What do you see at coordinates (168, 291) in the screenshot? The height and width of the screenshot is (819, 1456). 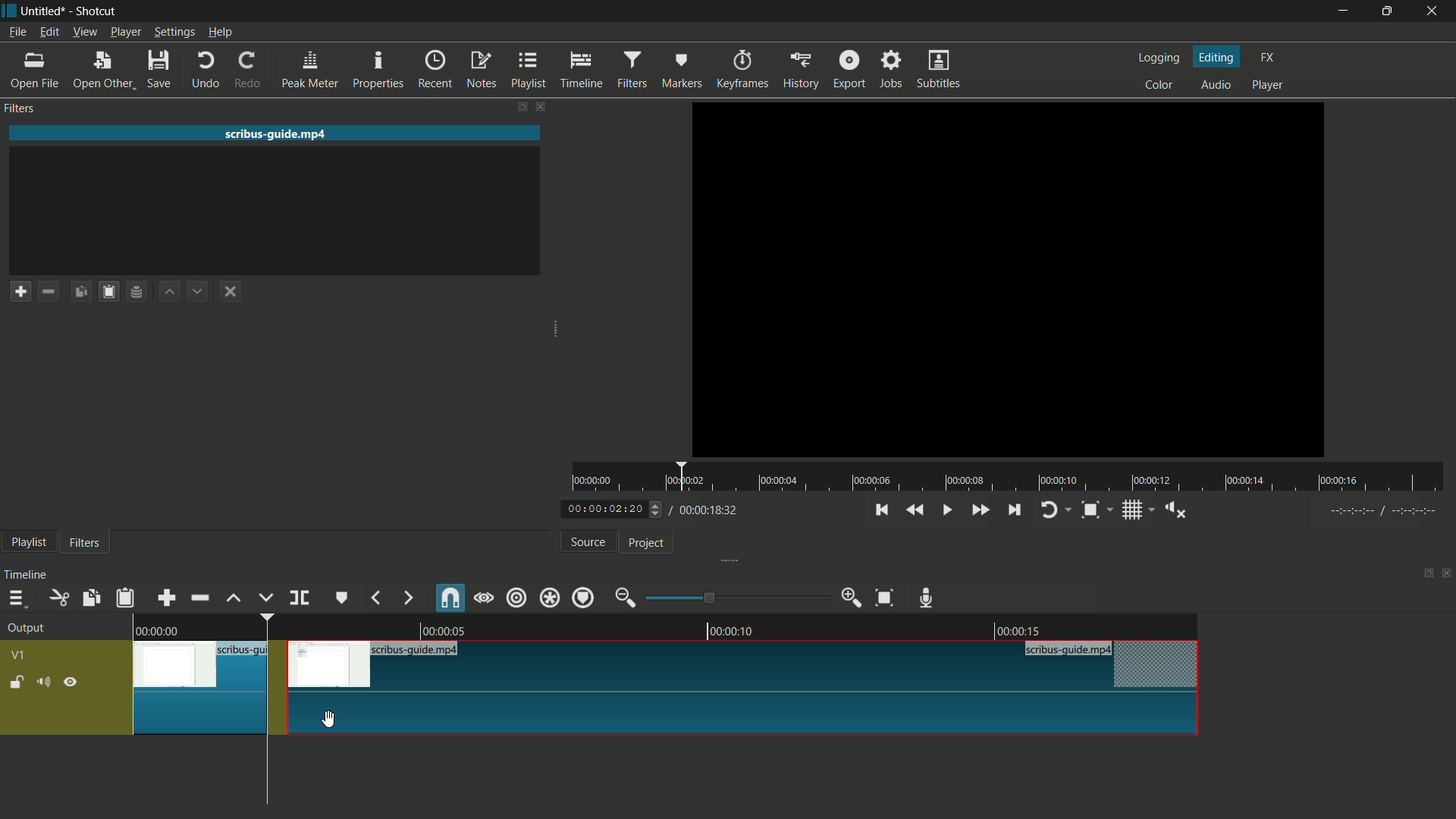 I see `move filter up` at bounding box center [168, 291].